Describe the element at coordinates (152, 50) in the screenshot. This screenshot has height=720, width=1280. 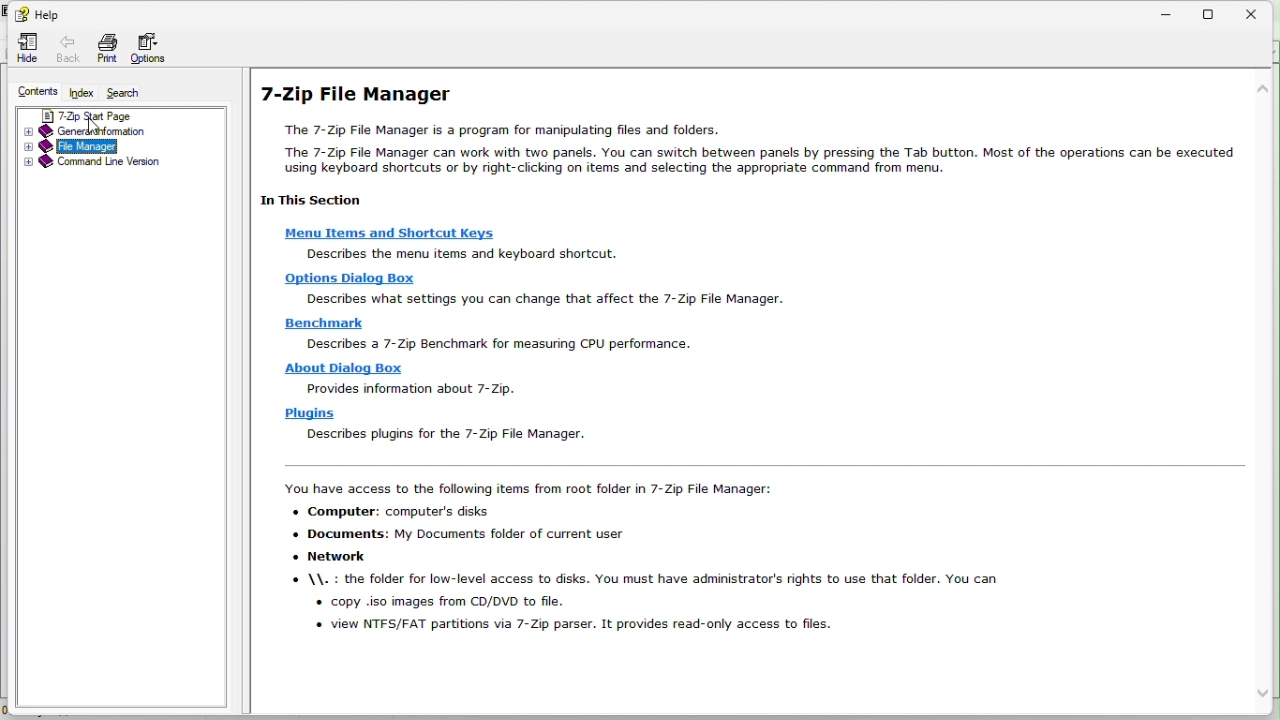
I see `options` at that location.